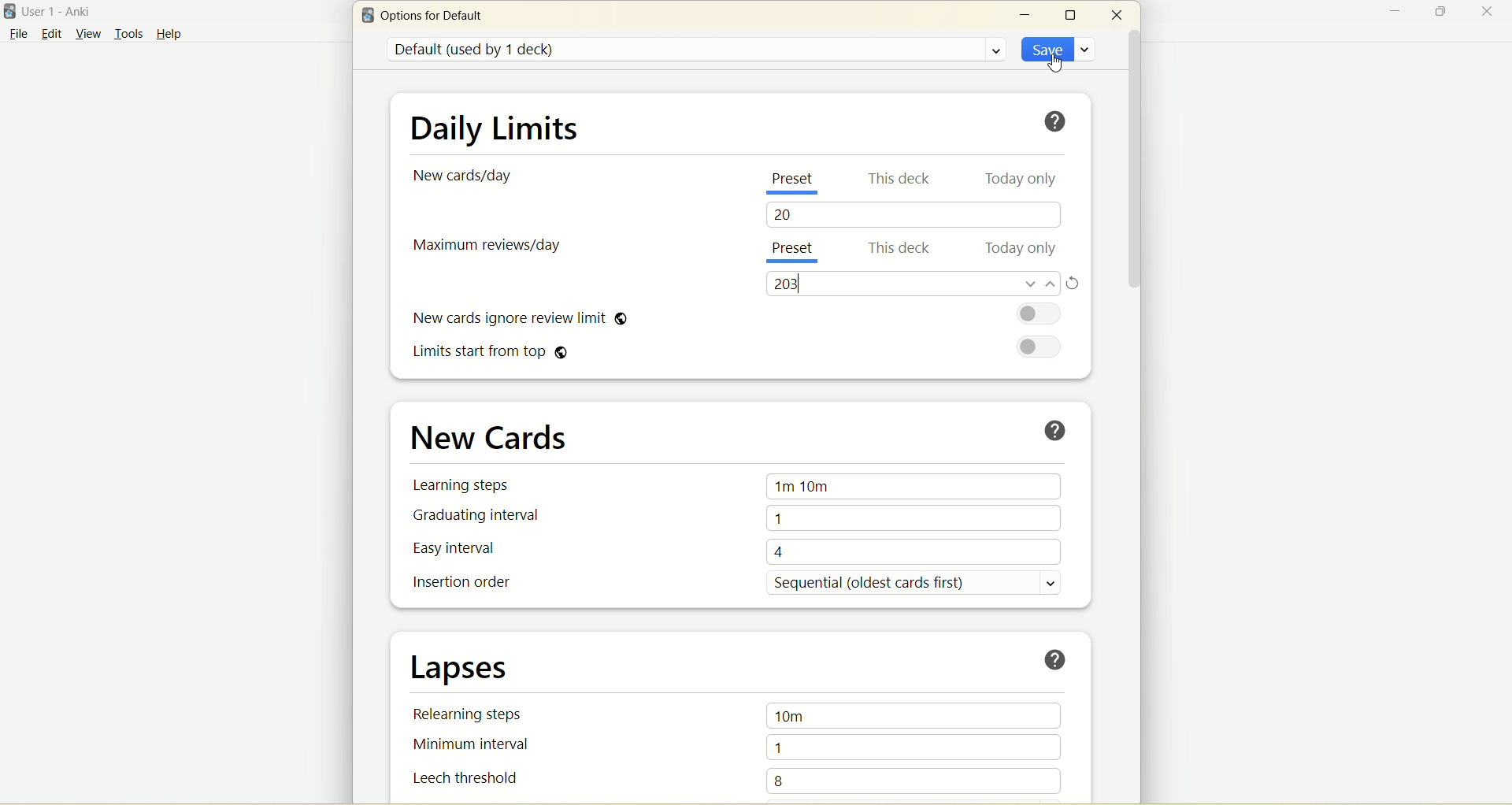  Describe the element at coordinates (1026, 13) in the screenshot. I see `minimize` at that location.